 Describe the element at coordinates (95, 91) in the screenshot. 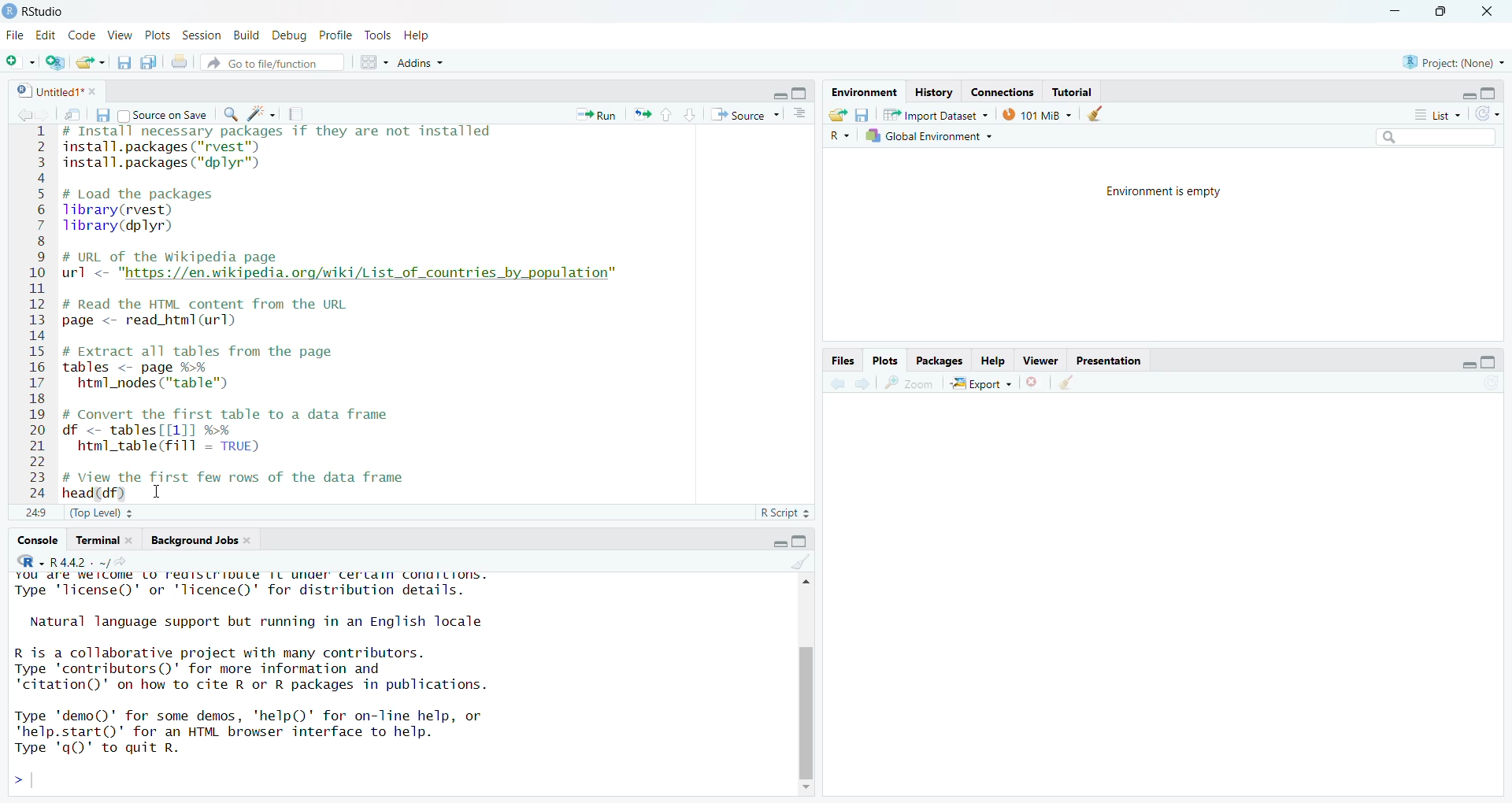

I see `close` at that location.